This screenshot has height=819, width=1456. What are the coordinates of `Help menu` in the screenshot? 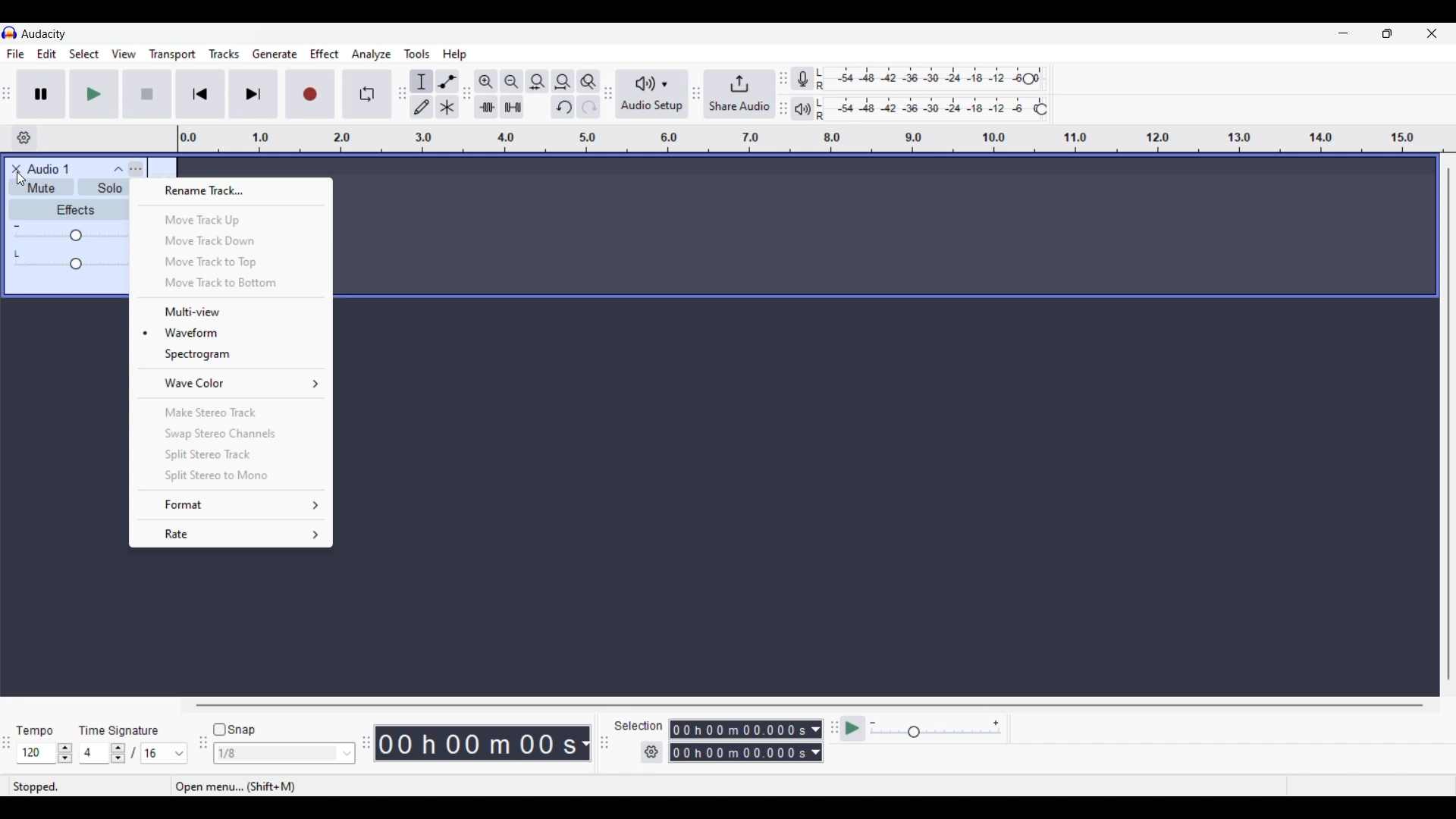 It's located at (454, 55).